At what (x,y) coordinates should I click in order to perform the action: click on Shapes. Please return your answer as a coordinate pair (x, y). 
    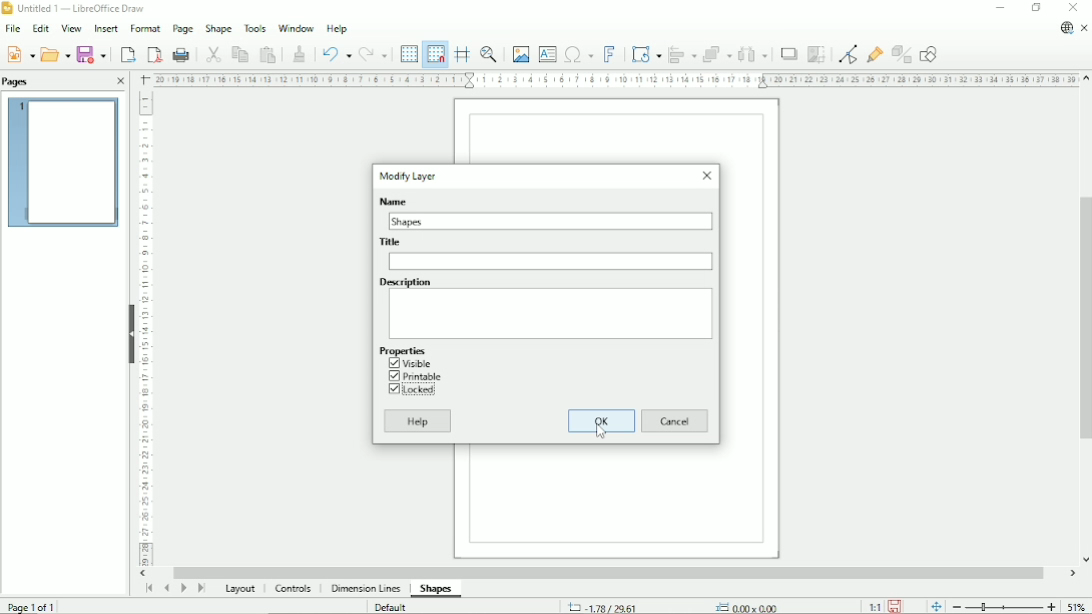
    Looking at the image, I should click on (436, 589).